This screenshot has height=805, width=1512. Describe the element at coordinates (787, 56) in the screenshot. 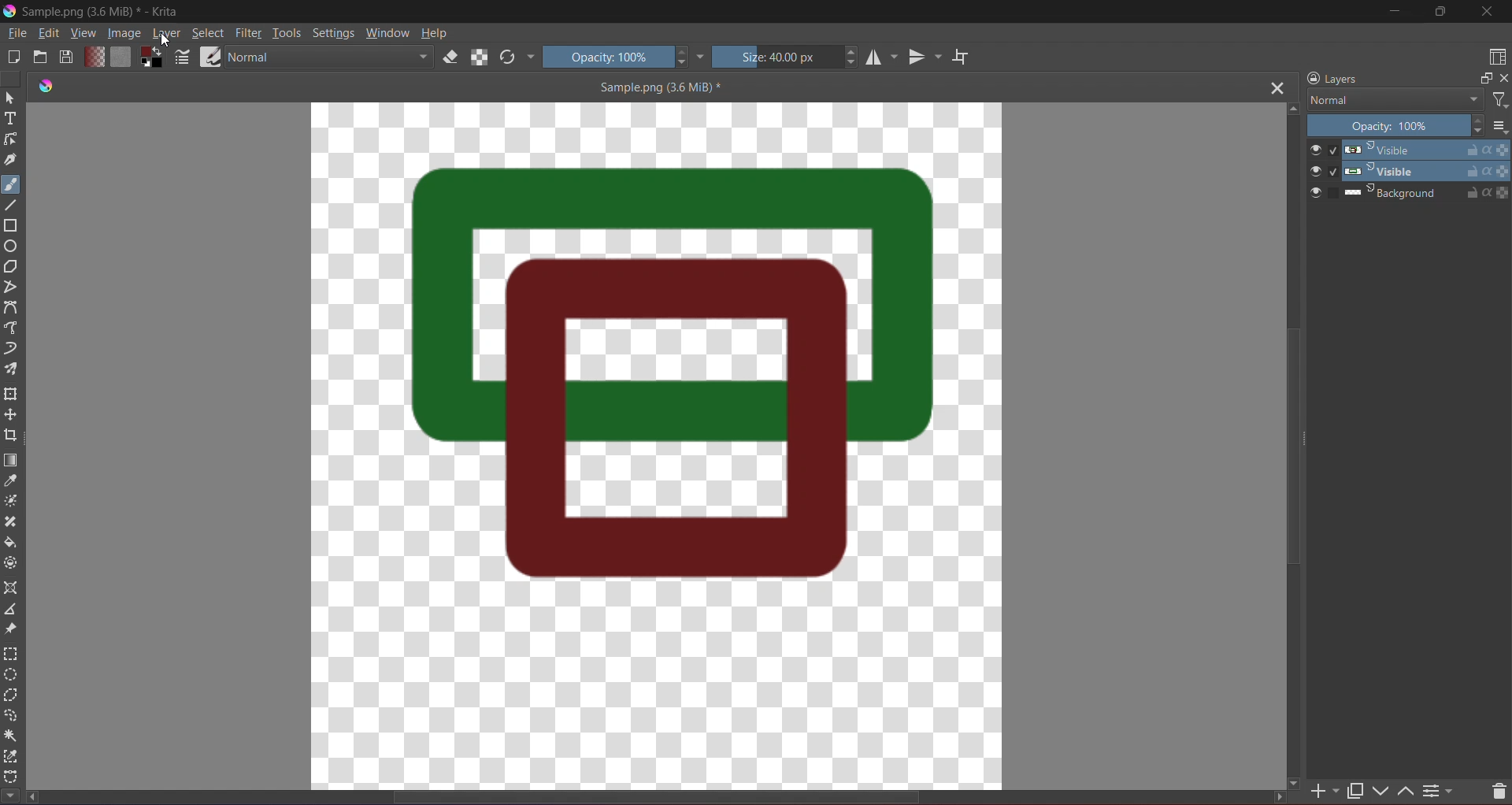

I see `Size` at that location.